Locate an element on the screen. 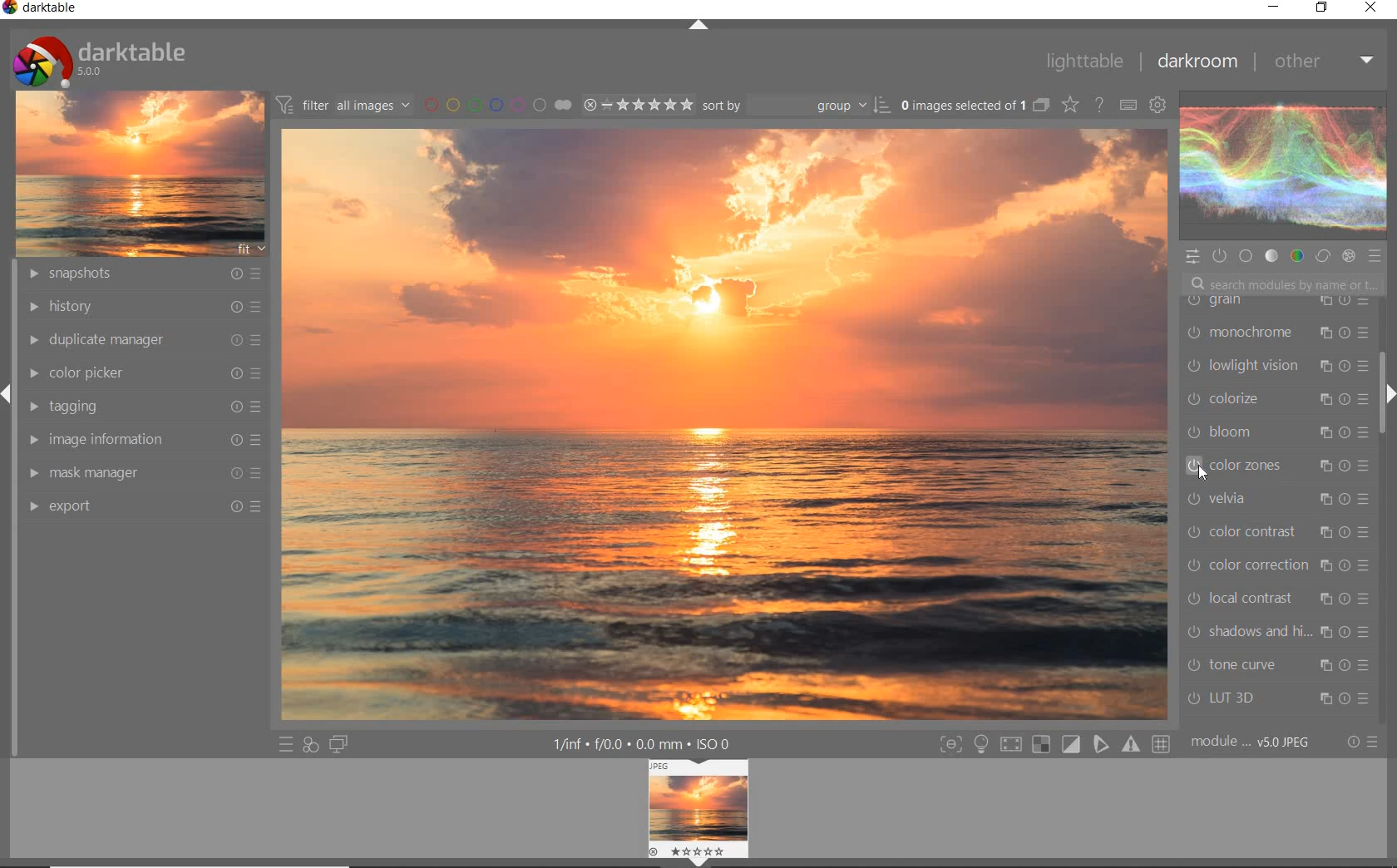  tone curve is located at coordinates (1278, 665).